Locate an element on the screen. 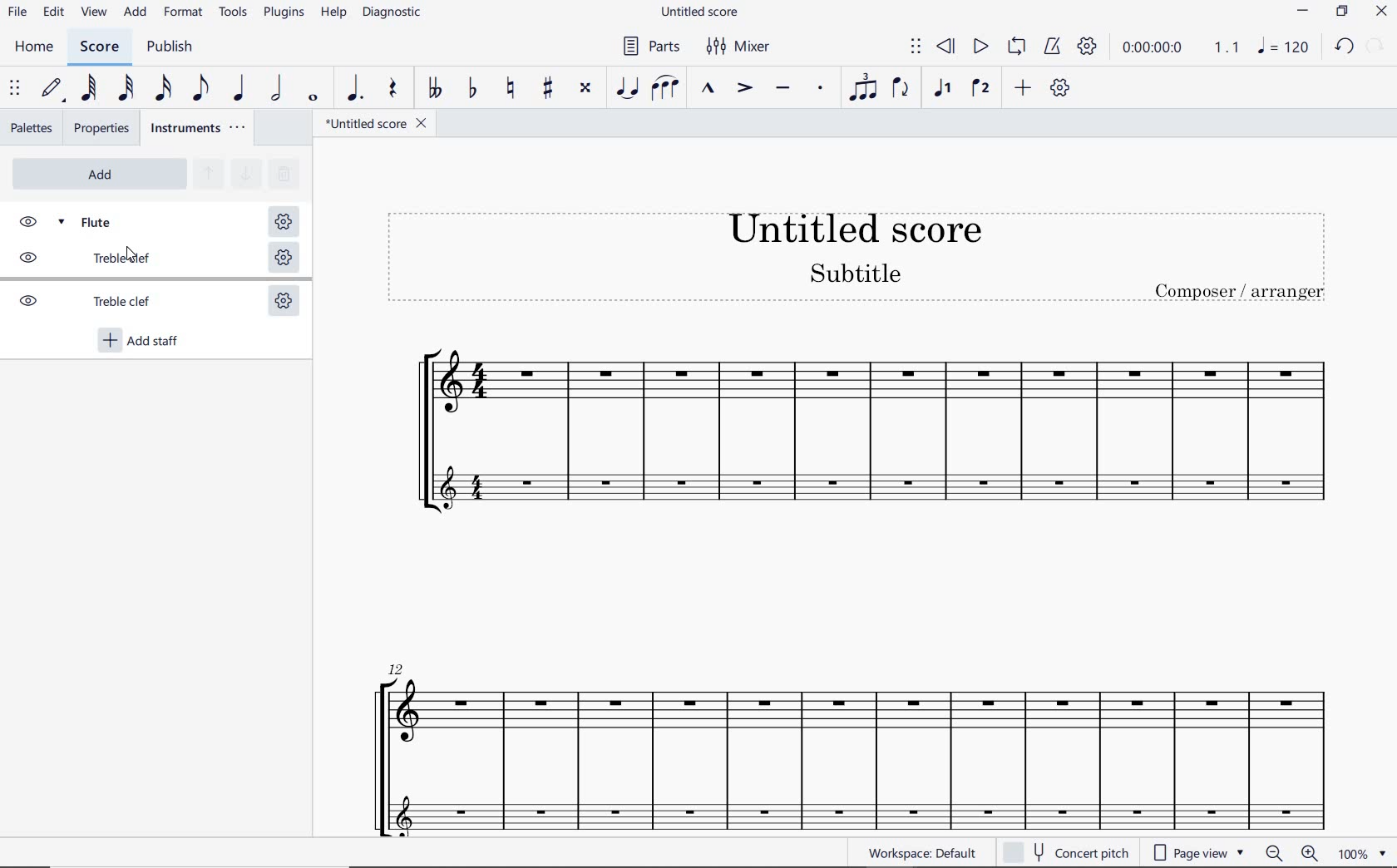 This screenshot has height=868, width=1397. SELECT TO MOVE is located at coordinates (15, 91).